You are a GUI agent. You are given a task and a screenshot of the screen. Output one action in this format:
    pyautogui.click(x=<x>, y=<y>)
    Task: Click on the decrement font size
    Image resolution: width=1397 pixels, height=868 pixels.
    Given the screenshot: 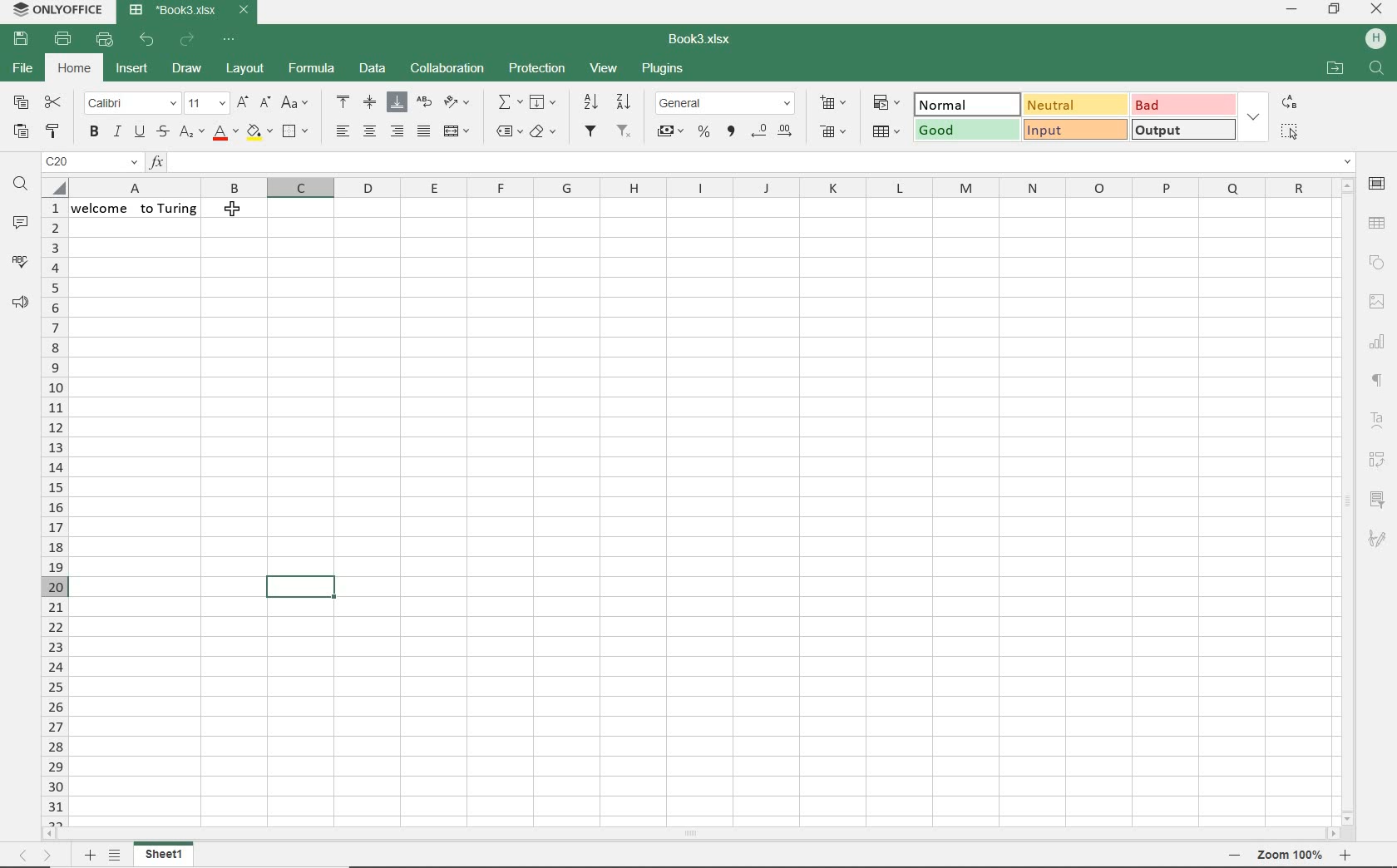 What is the action you would take?
    pyautogui.click(x=264, y=102)
    